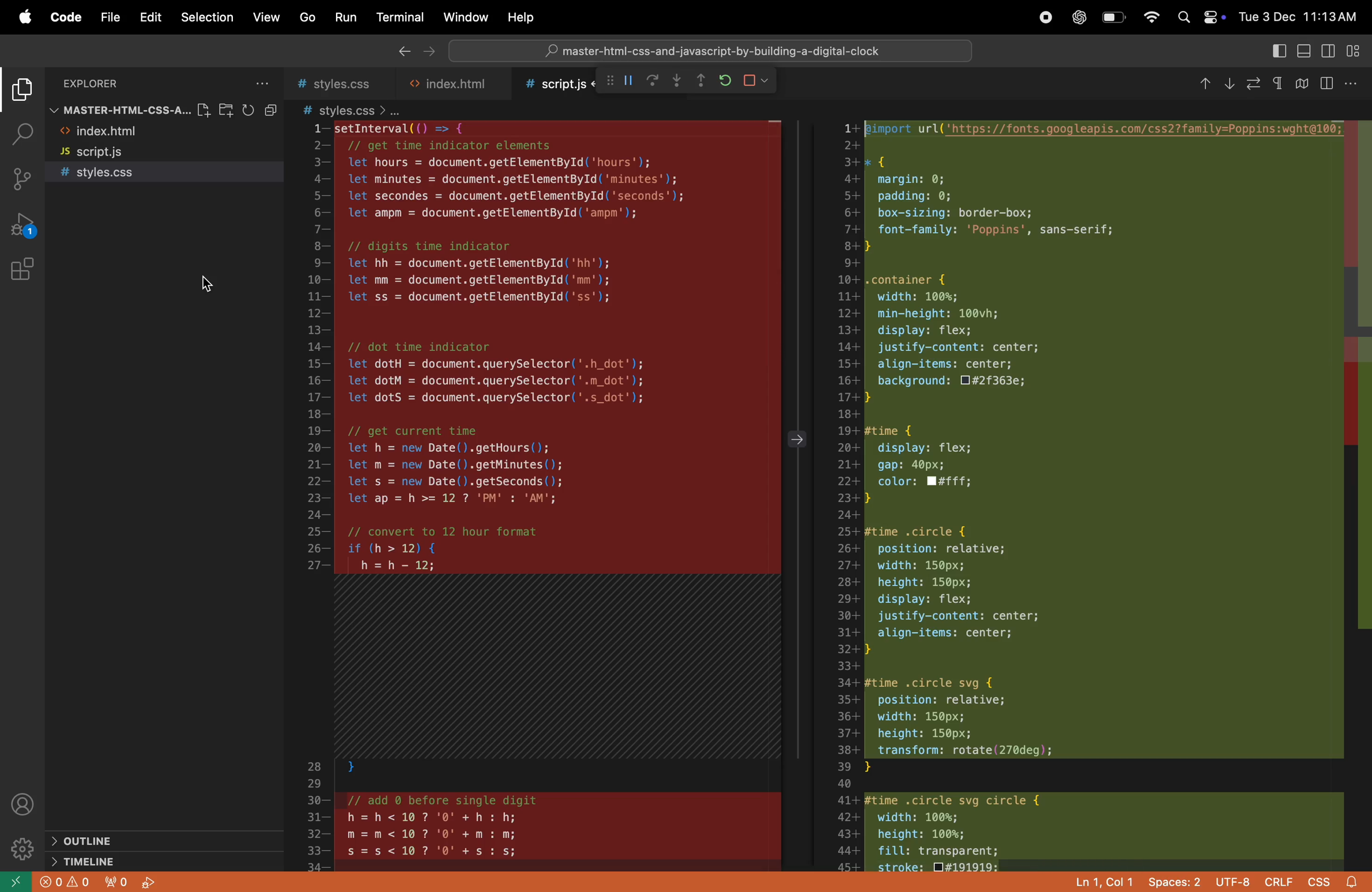  I want to click on alert, so click(1355, 882).